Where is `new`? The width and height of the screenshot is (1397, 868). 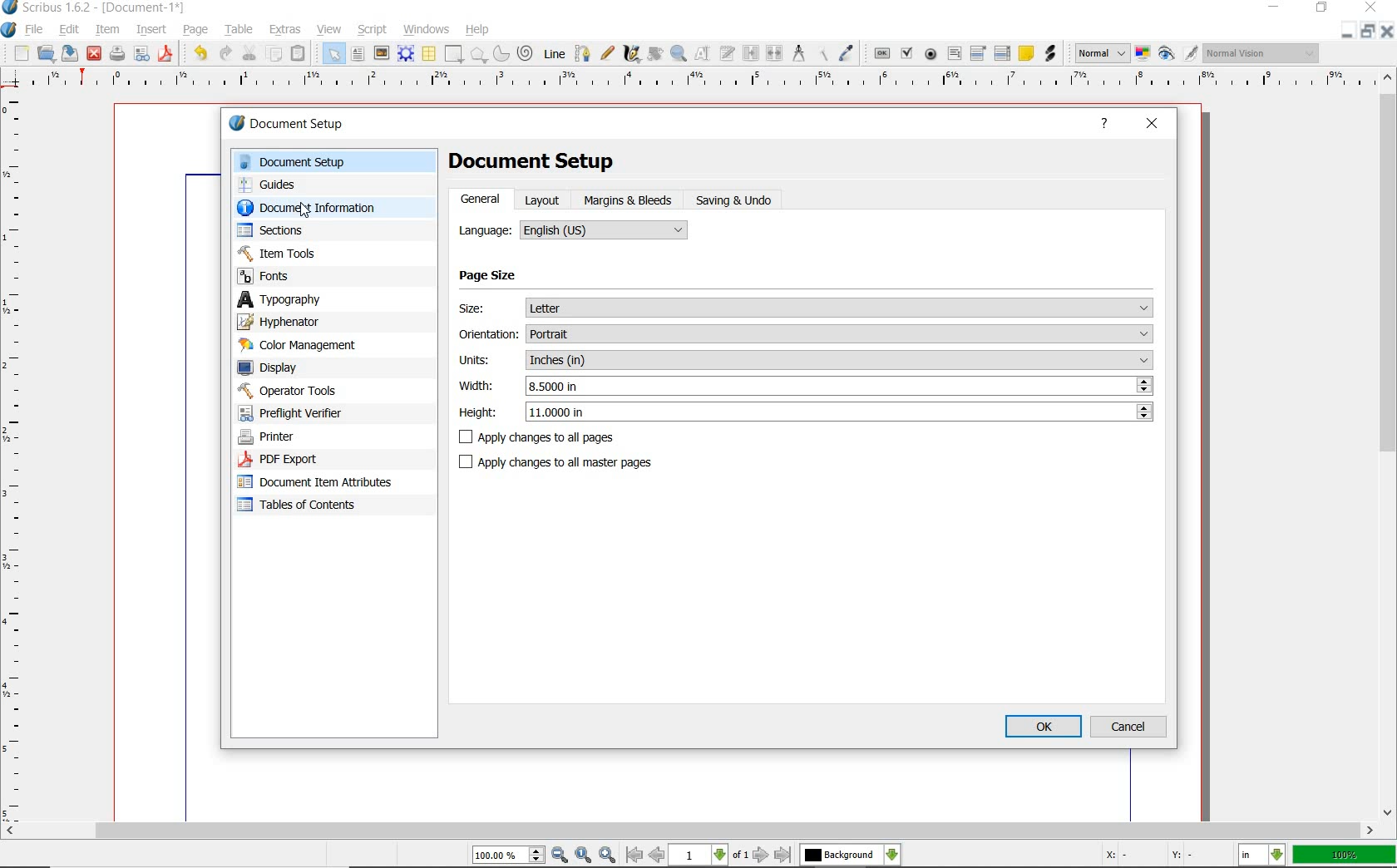 new is located at coordinates (20, 53).